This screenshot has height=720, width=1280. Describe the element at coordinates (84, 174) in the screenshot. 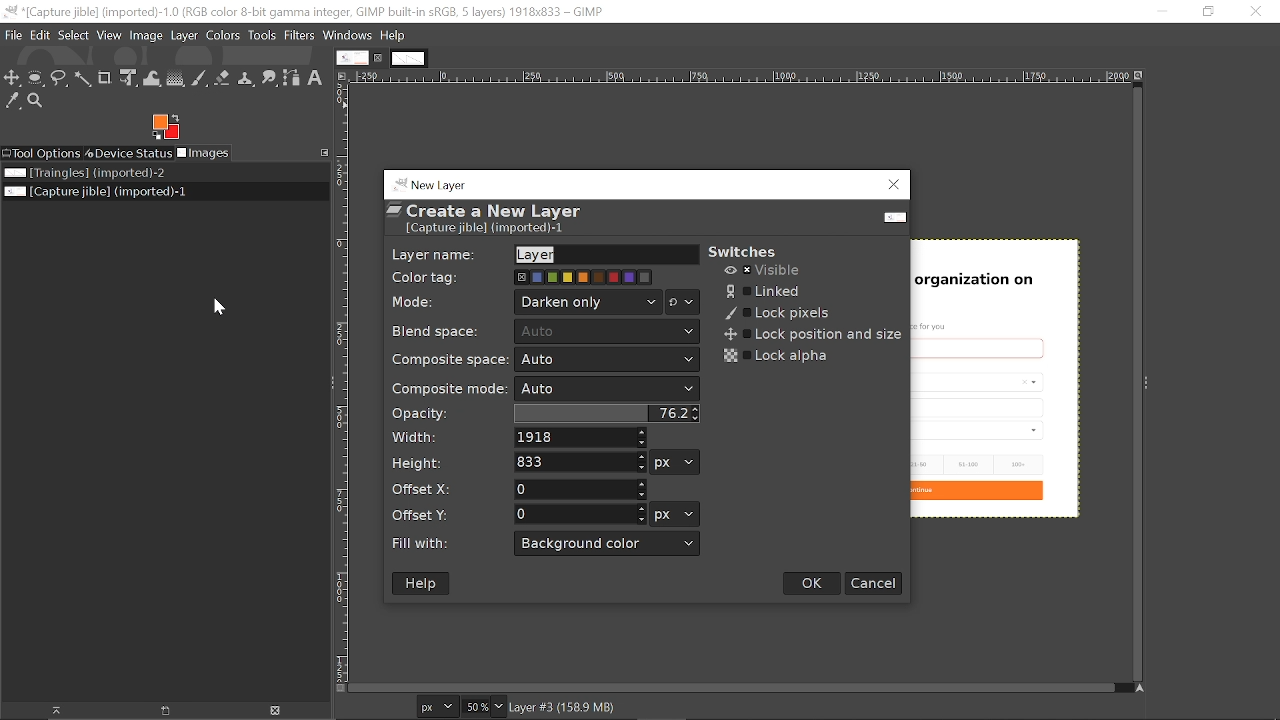

I see `Image file titled "Triangles"` at that location.